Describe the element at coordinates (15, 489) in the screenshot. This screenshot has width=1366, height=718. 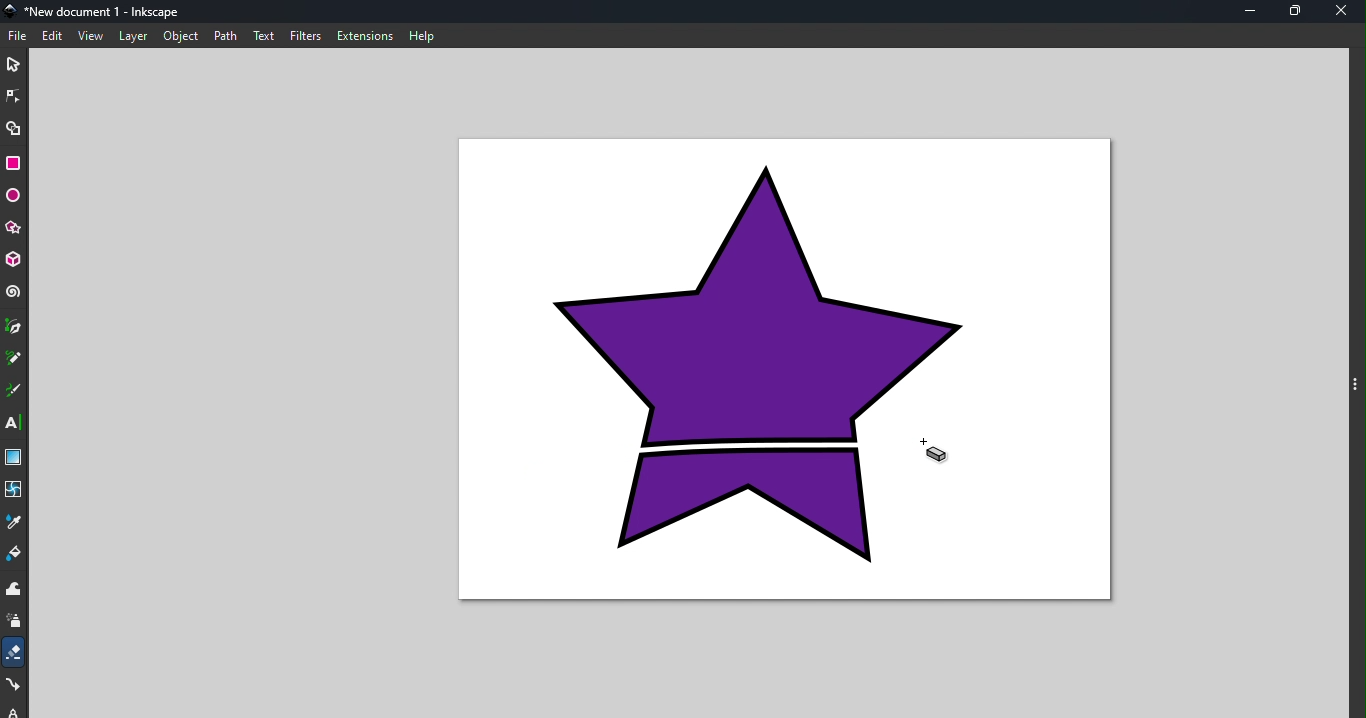
I see `mesh tool` at that location.